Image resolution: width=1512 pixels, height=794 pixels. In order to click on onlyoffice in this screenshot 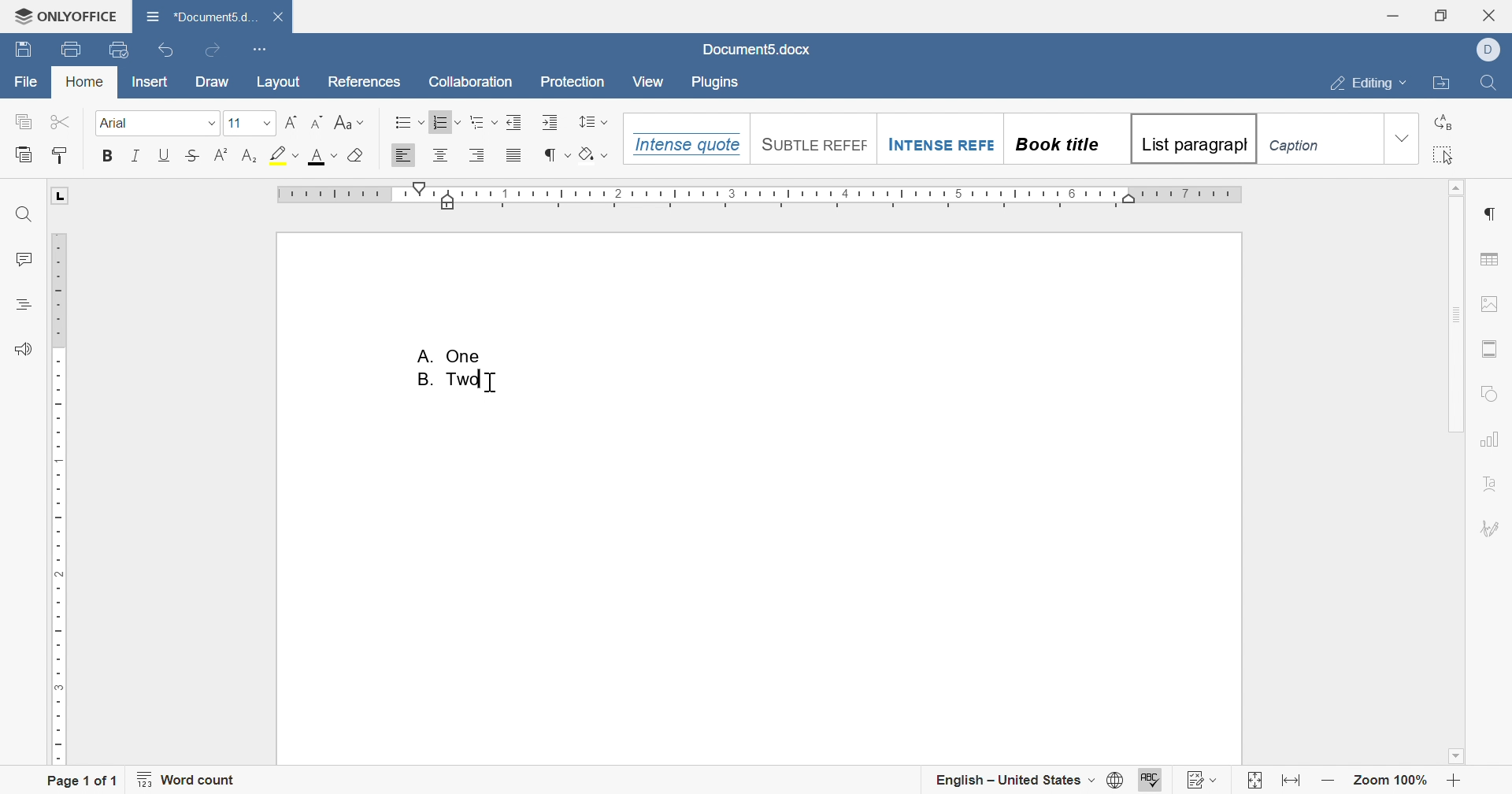, I will do `click(66, 16)`.